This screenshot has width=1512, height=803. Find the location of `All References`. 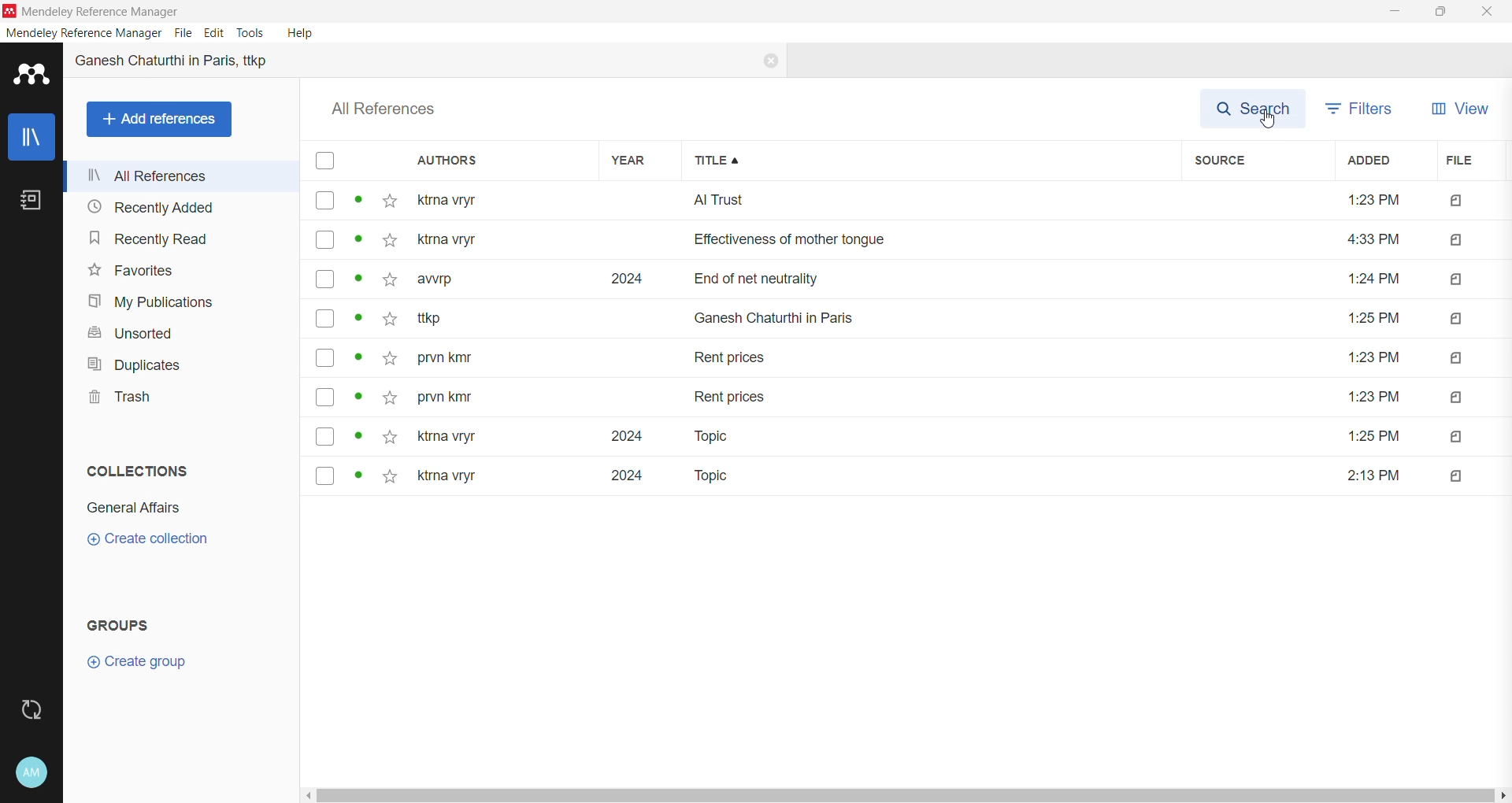

All References is located at coordinates (391, 109).